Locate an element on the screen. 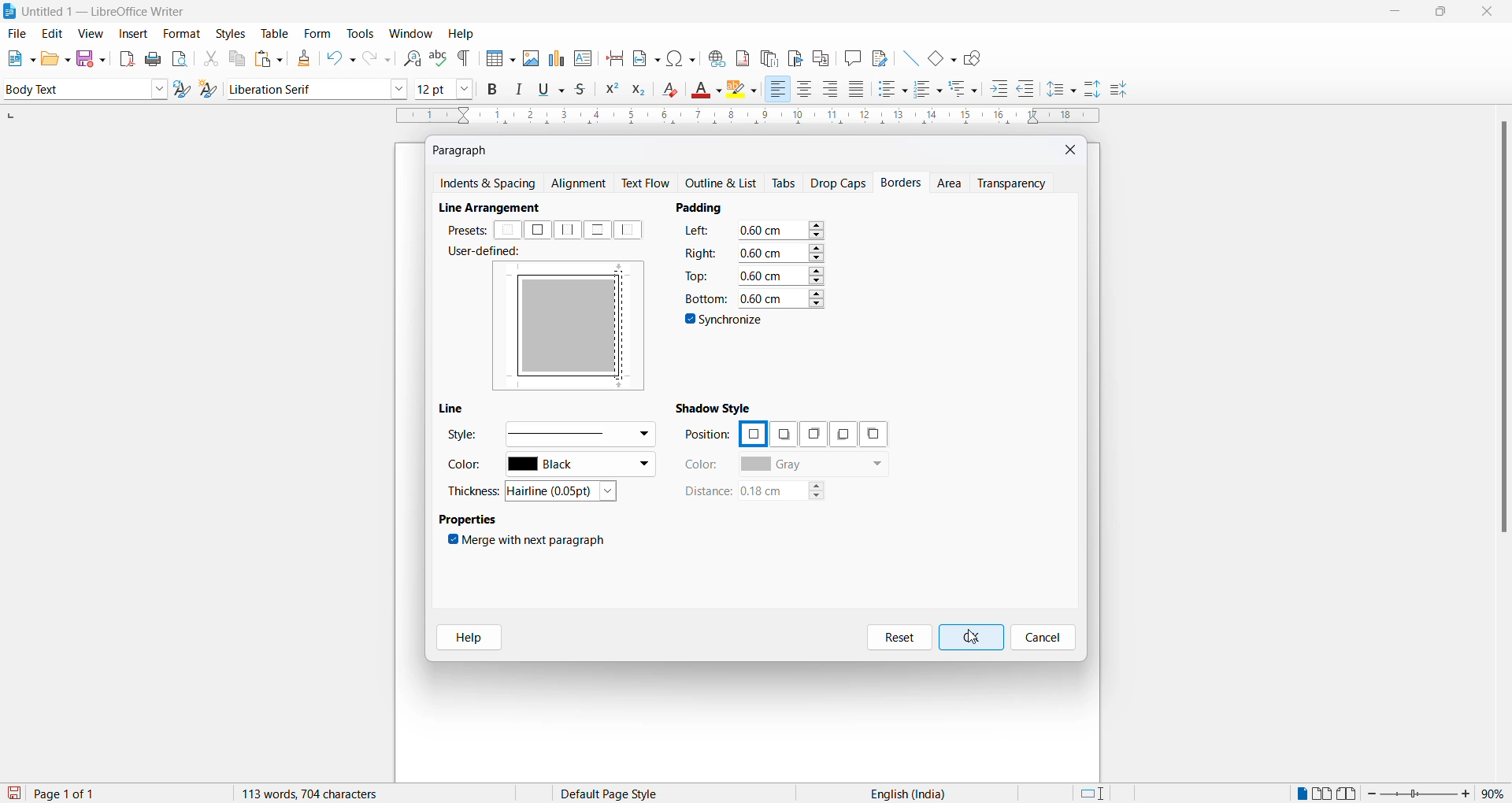  thickness options is located at coordinates (566, 492).